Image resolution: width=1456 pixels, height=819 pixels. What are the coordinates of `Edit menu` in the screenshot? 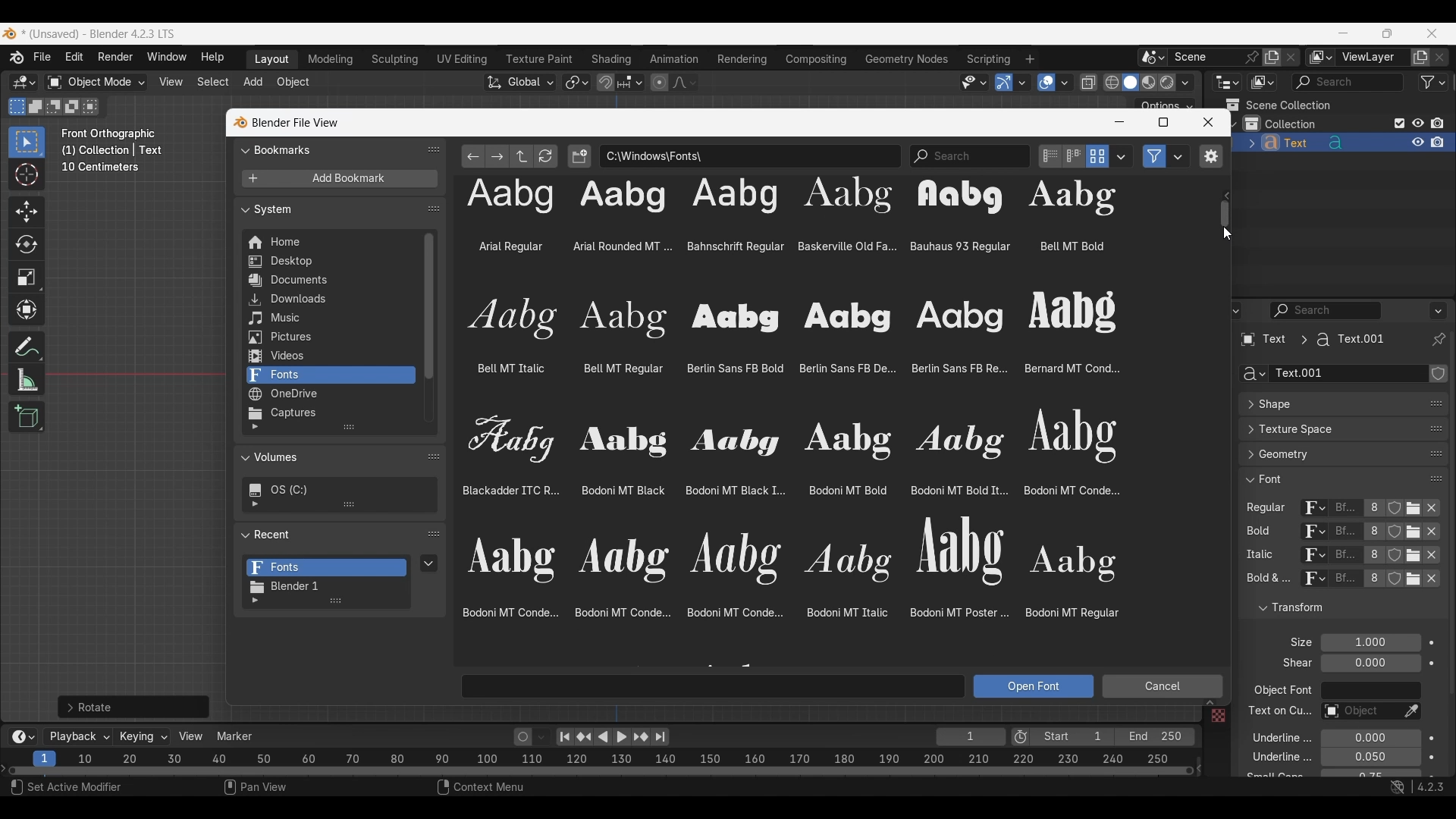 It's located at (74, 58).